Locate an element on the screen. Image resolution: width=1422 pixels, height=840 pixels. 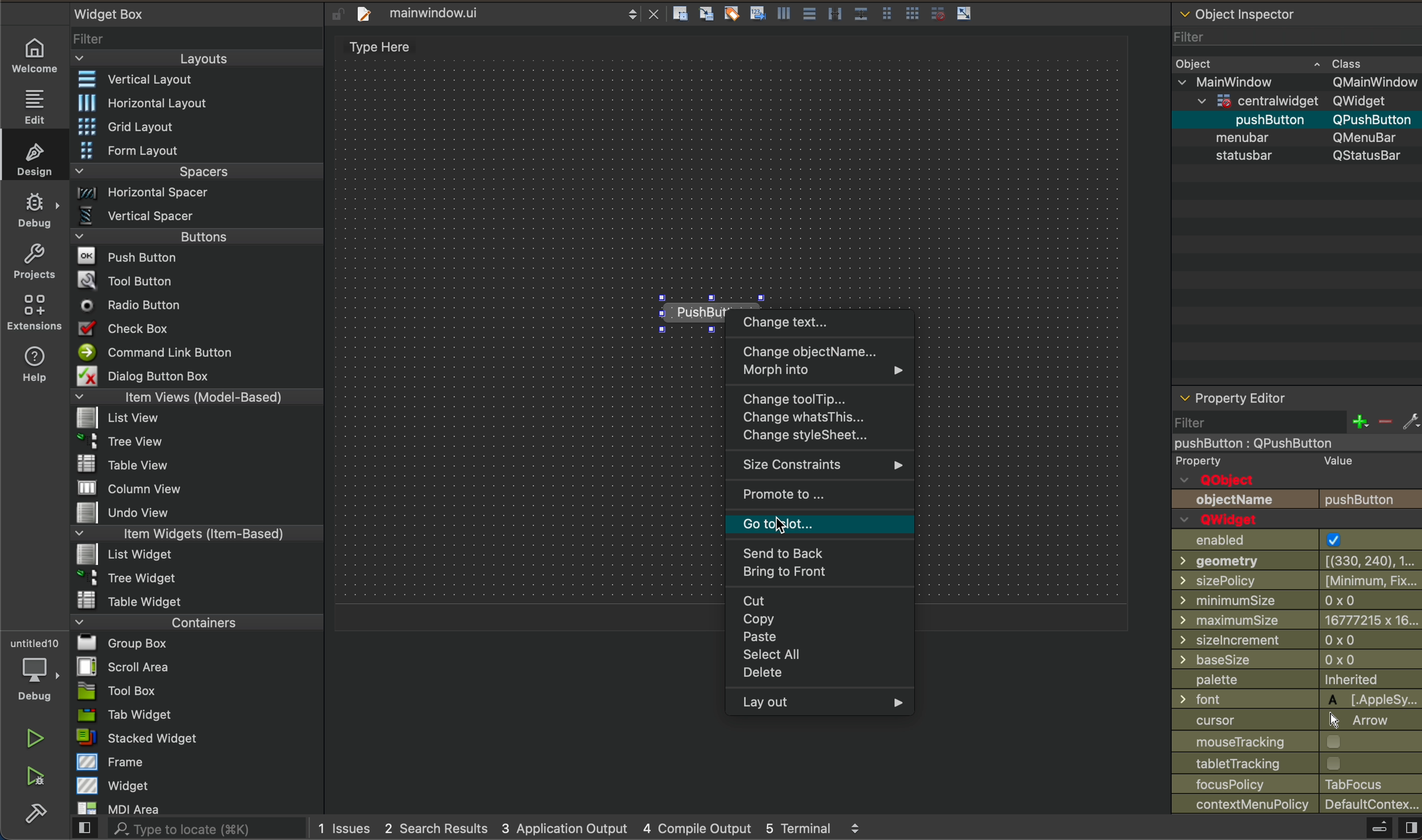
widget is located at coordinates (196, 787).